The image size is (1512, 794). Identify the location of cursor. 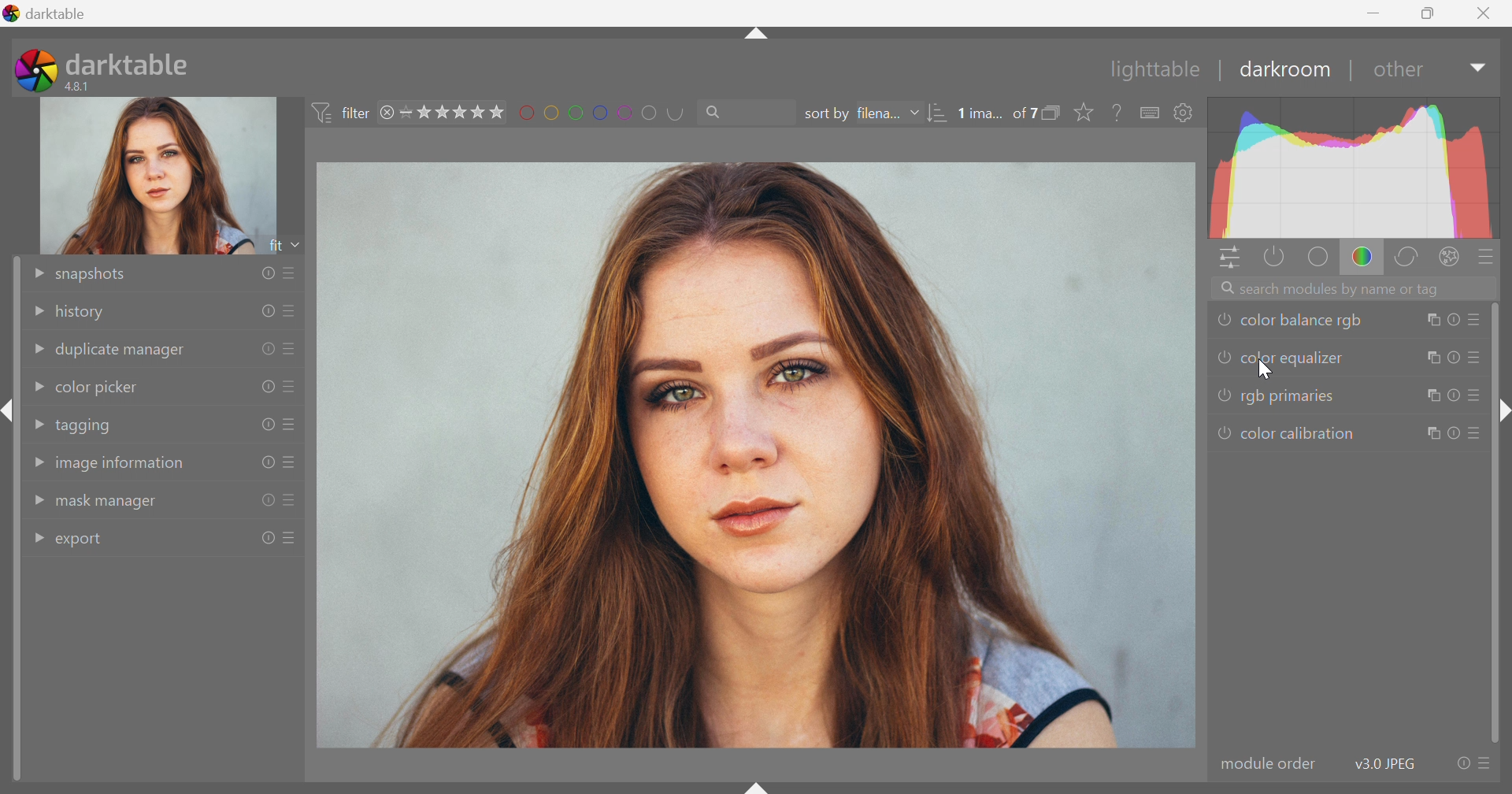
(1266, 369).